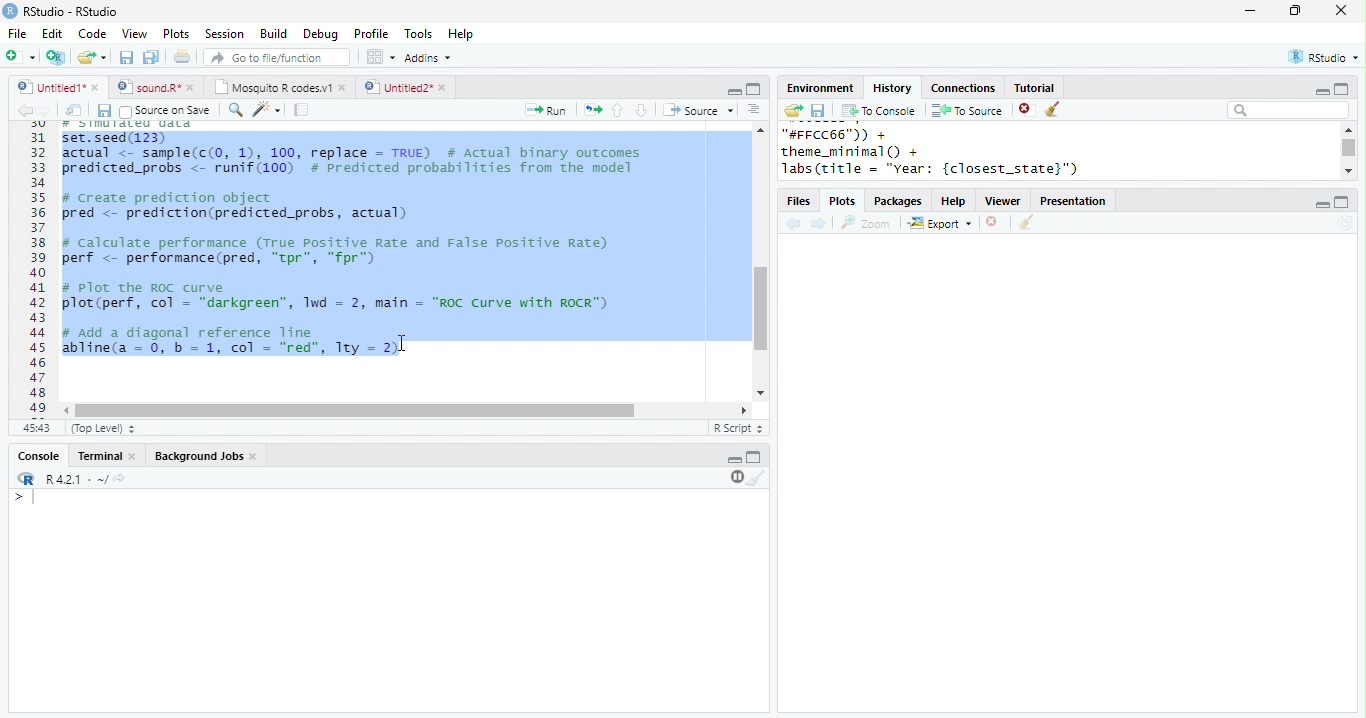 Image resolution: width=1366 pixels, height=718 pixels. Describe the element at coordinates (866, 223) in the screenshot. I see `Zoom` at that location.